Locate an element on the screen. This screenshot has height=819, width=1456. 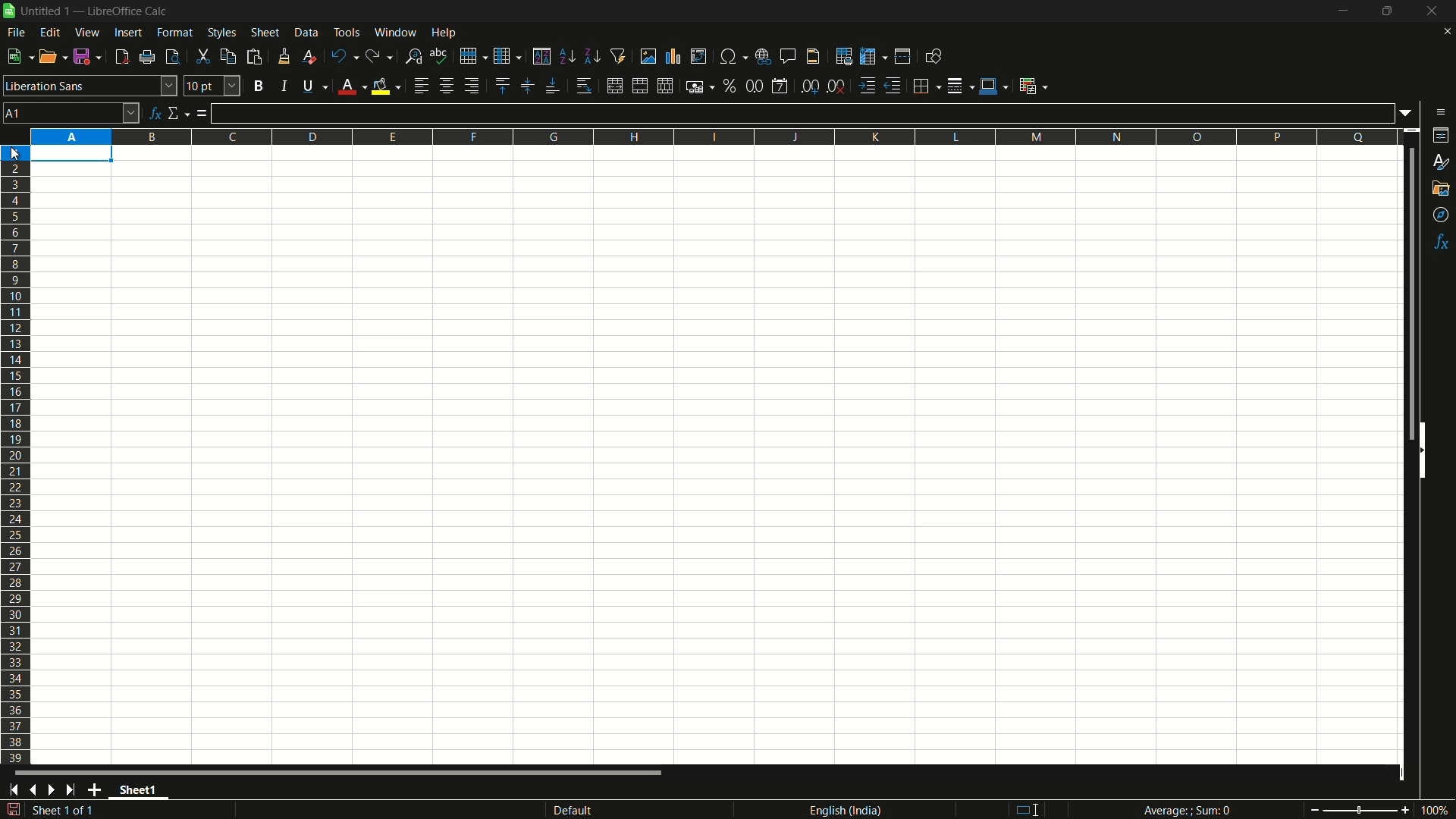
language english(india) is located at coordinates (841, 810).